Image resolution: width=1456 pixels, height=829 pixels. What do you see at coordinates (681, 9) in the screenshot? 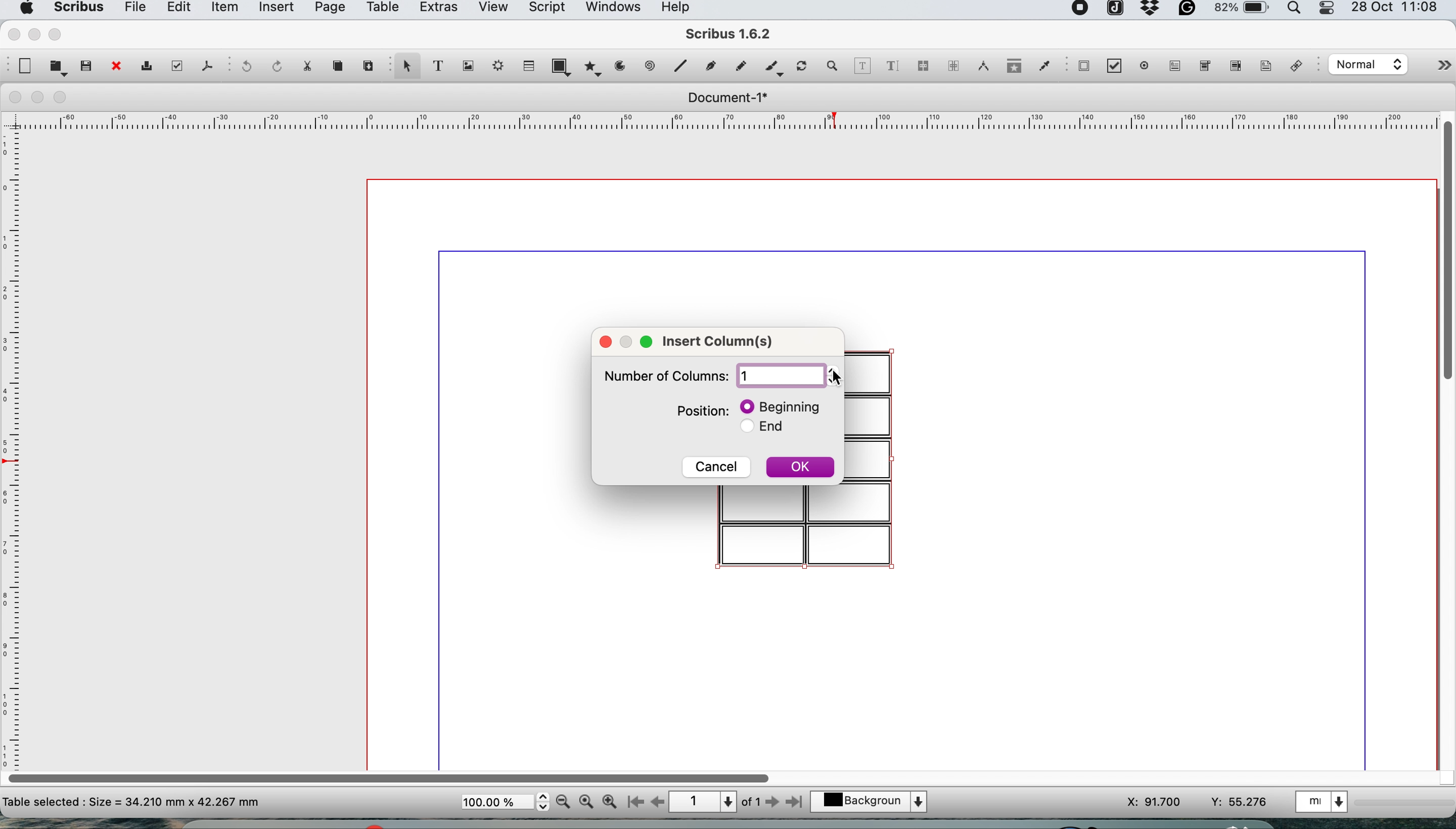
I see `help` at bounding box center [681, 9].